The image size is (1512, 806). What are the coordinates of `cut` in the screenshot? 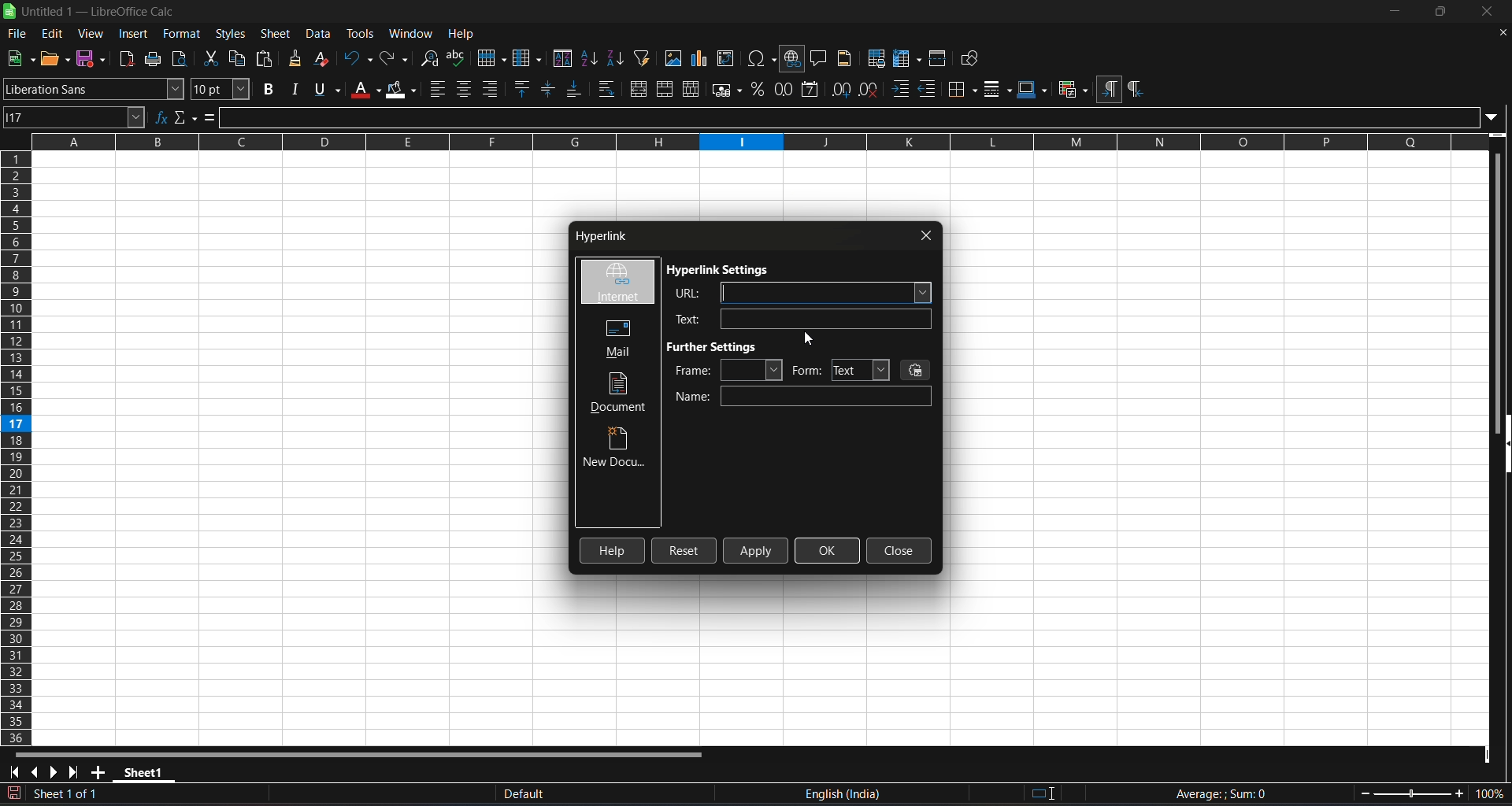 It's located at (210, 57).